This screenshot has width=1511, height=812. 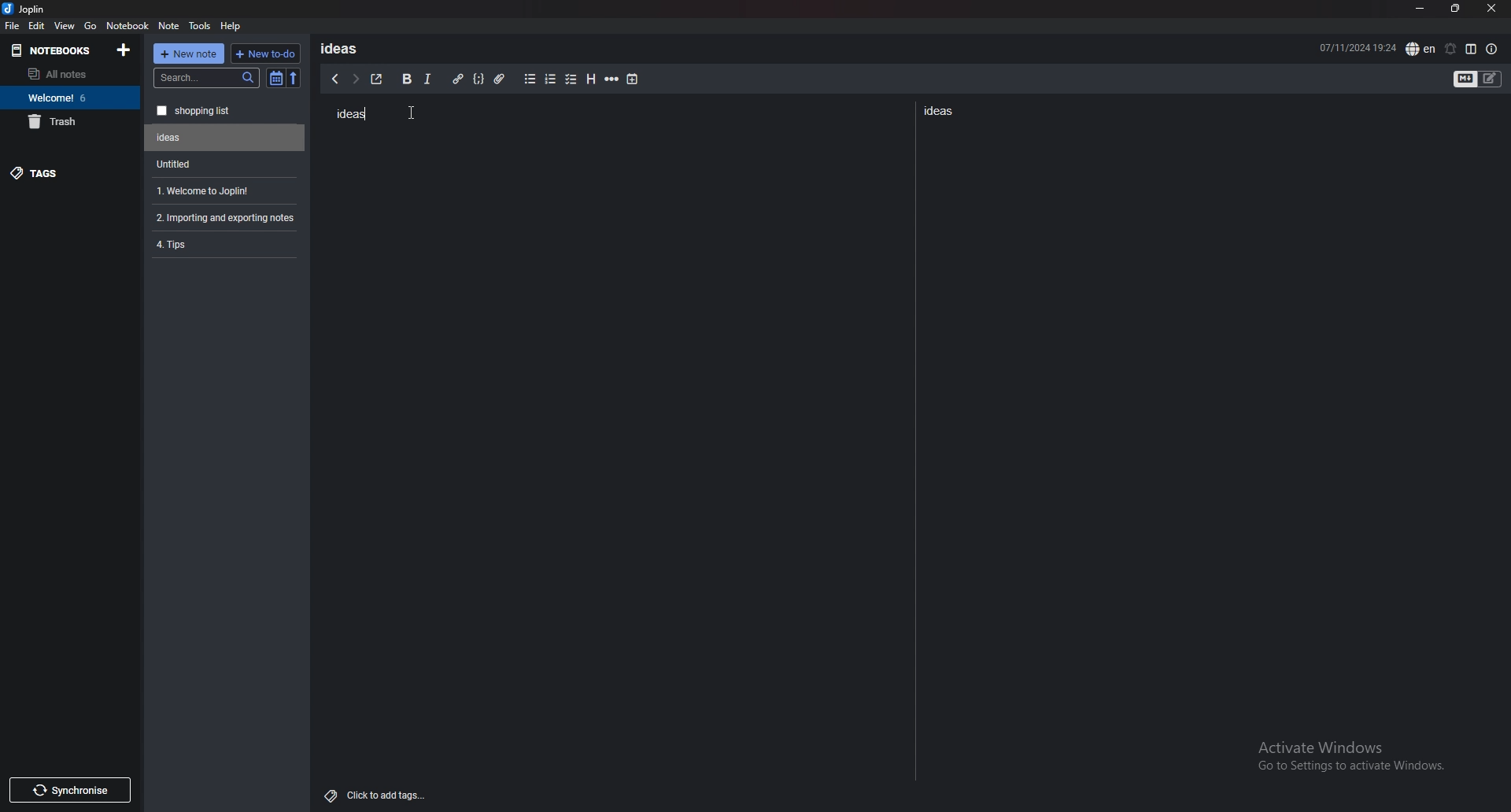 What do you see at coordinates (379, 792) in the screenshot?
I see `Click to add tags` at bounding box center [379, 792].